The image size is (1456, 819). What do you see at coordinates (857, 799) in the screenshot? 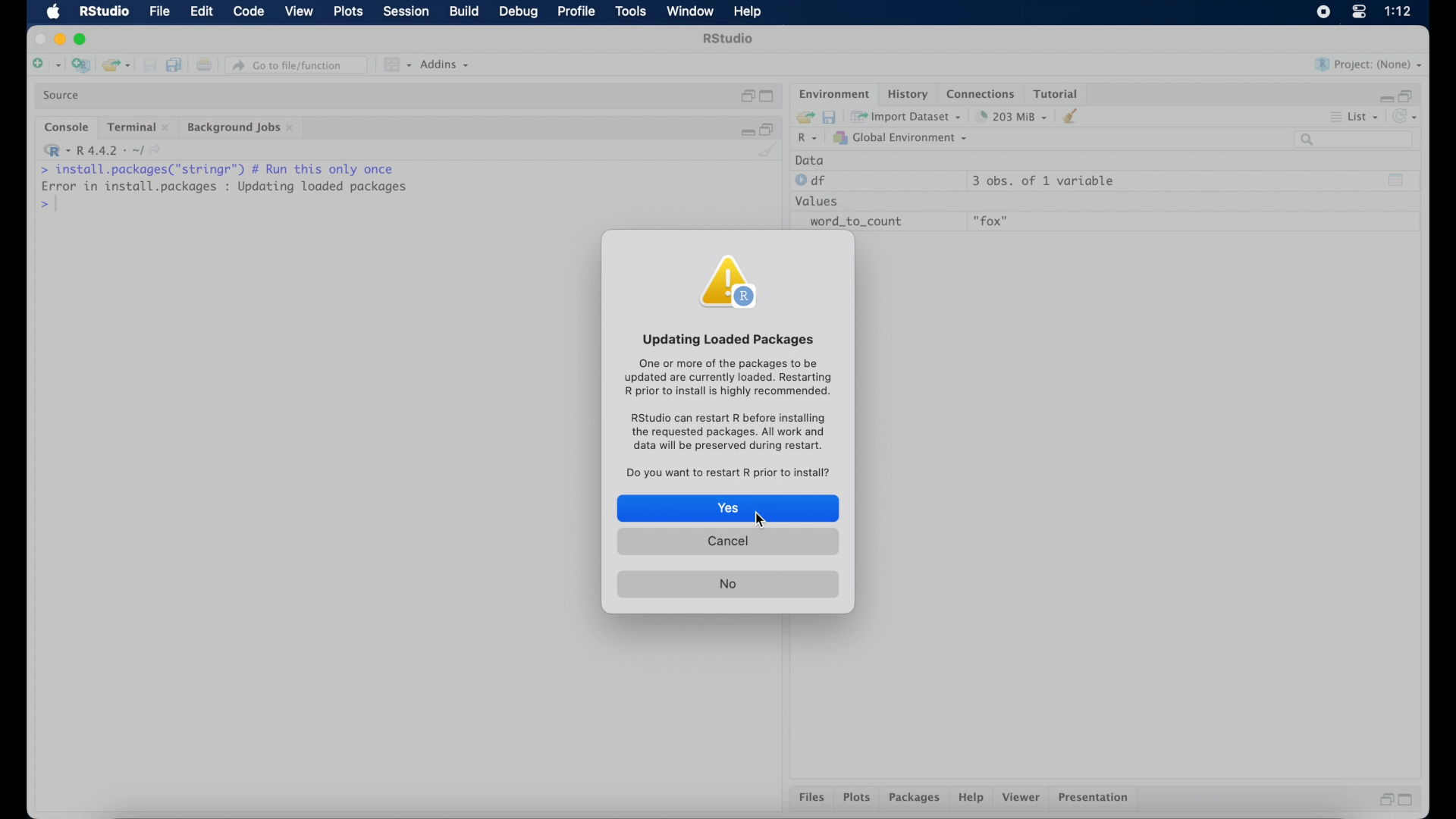
I see `plots` at bounding box center [857, 799].